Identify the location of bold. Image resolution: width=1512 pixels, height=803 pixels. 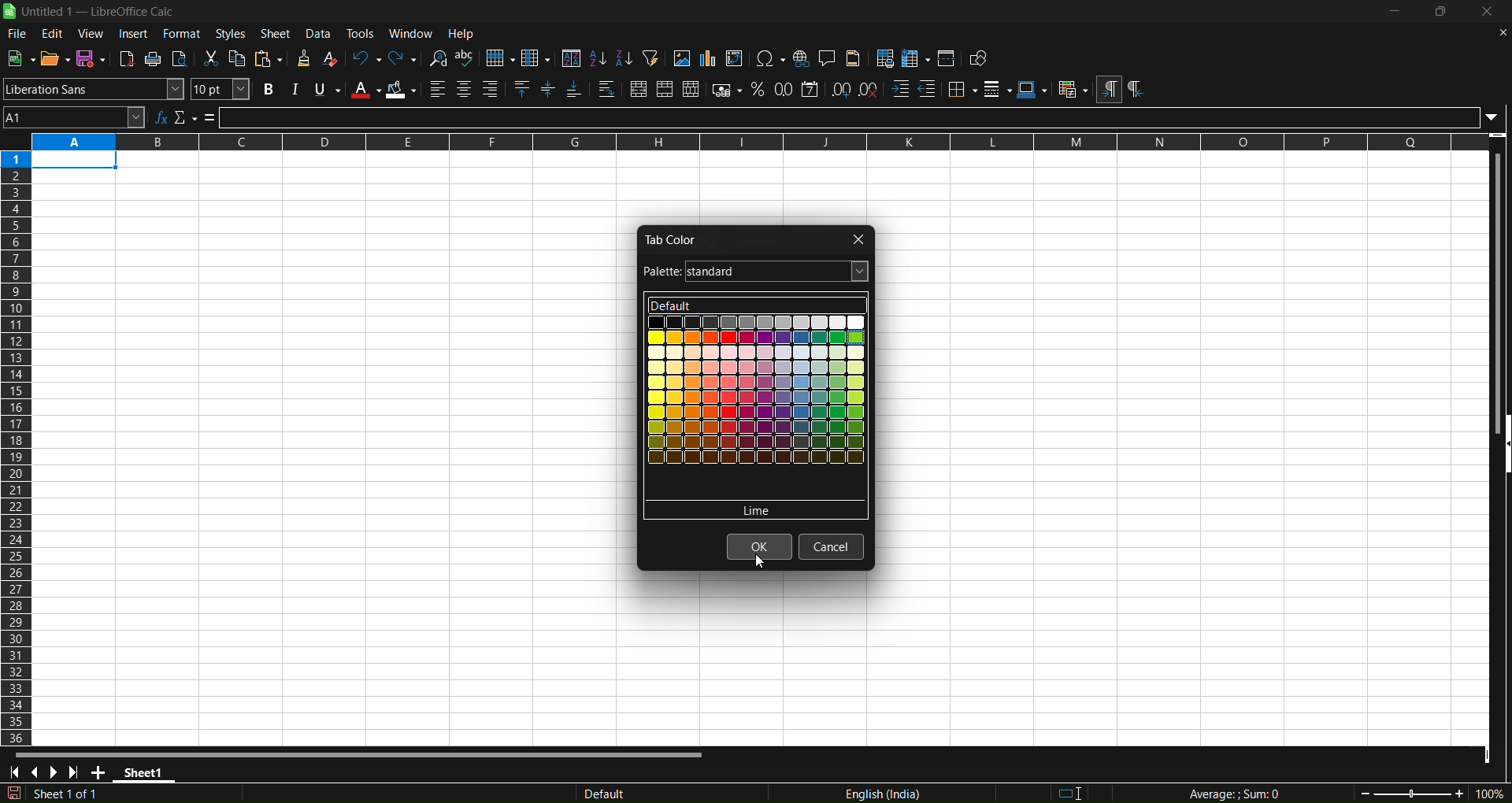
(265, 90).